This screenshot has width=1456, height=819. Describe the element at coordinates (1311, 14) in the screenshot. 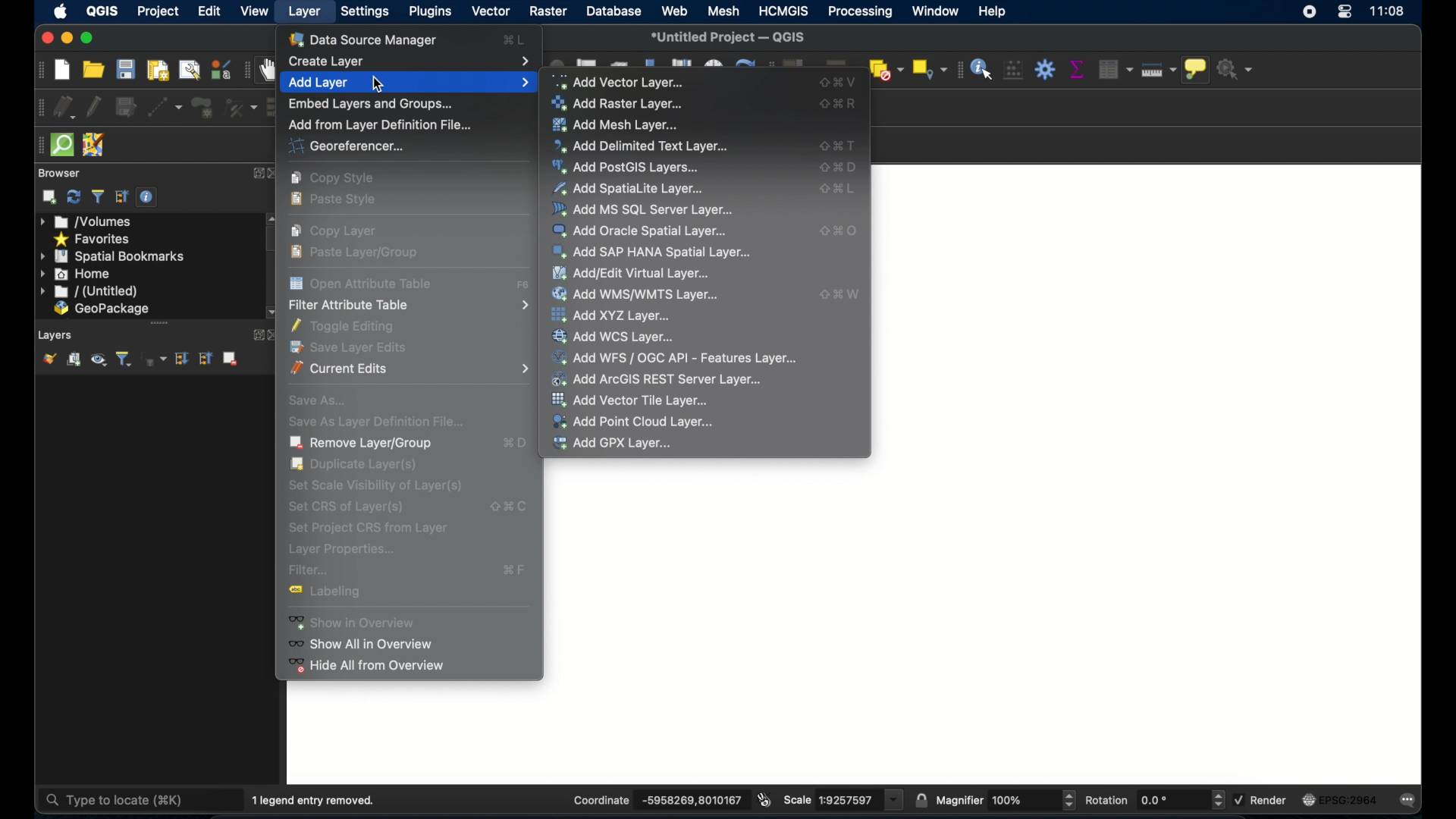

I see `screen recorder` at that location.